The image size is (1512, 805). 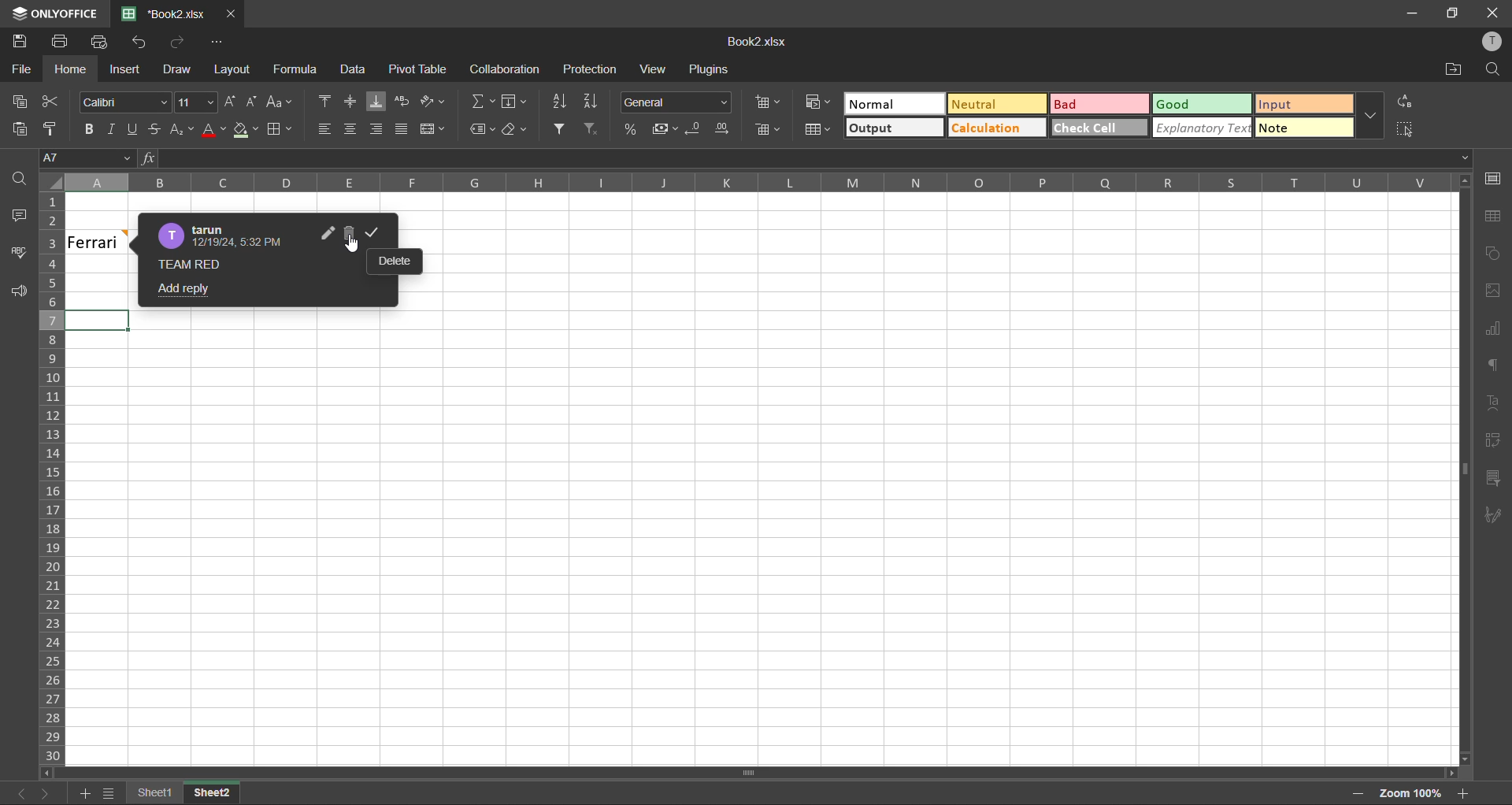 I want to click on add sheet, so click(x=86, y=793).